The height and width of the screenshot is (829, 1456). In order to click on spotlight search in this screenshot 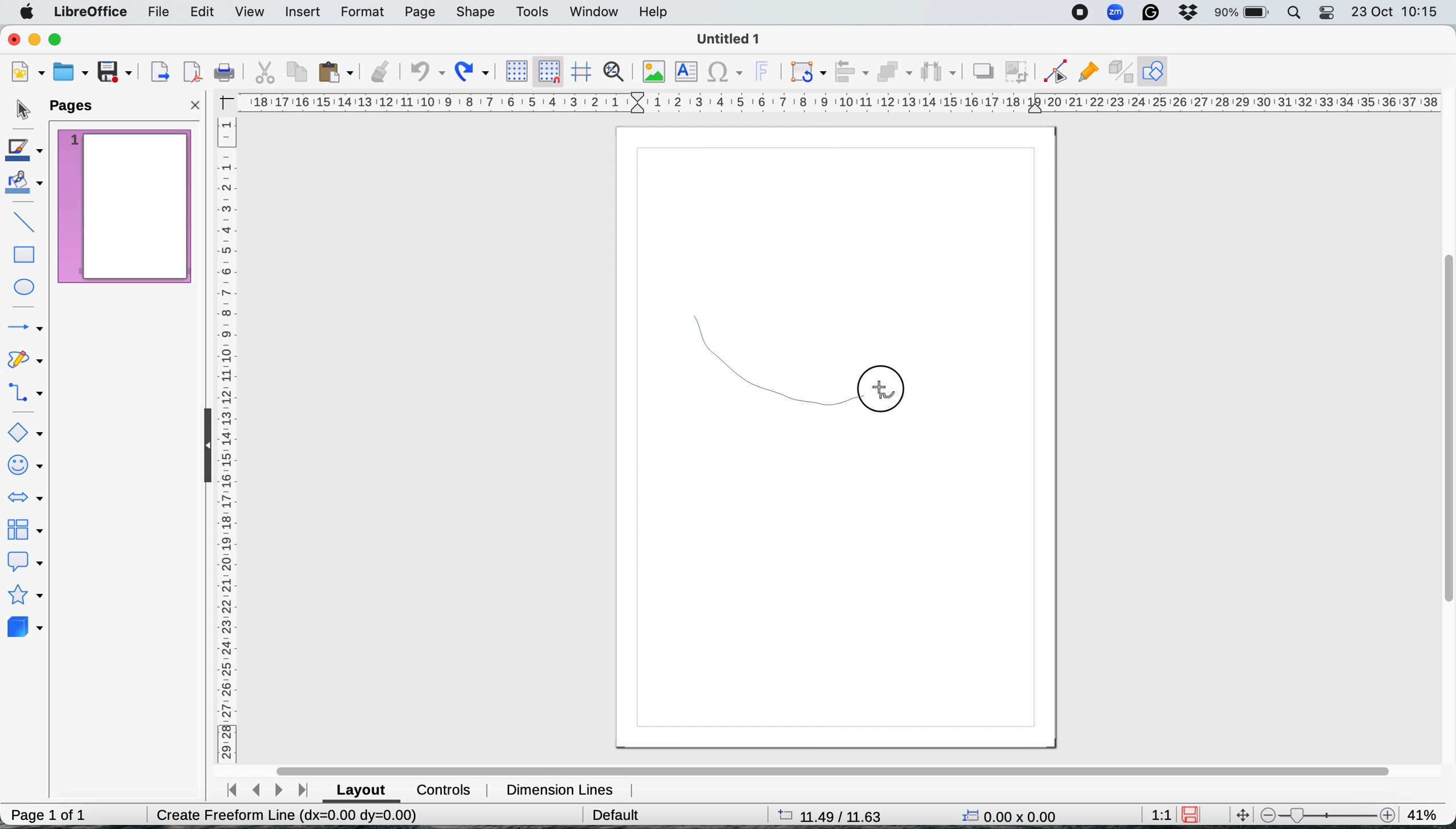, I will do `click(1297, 12)`.